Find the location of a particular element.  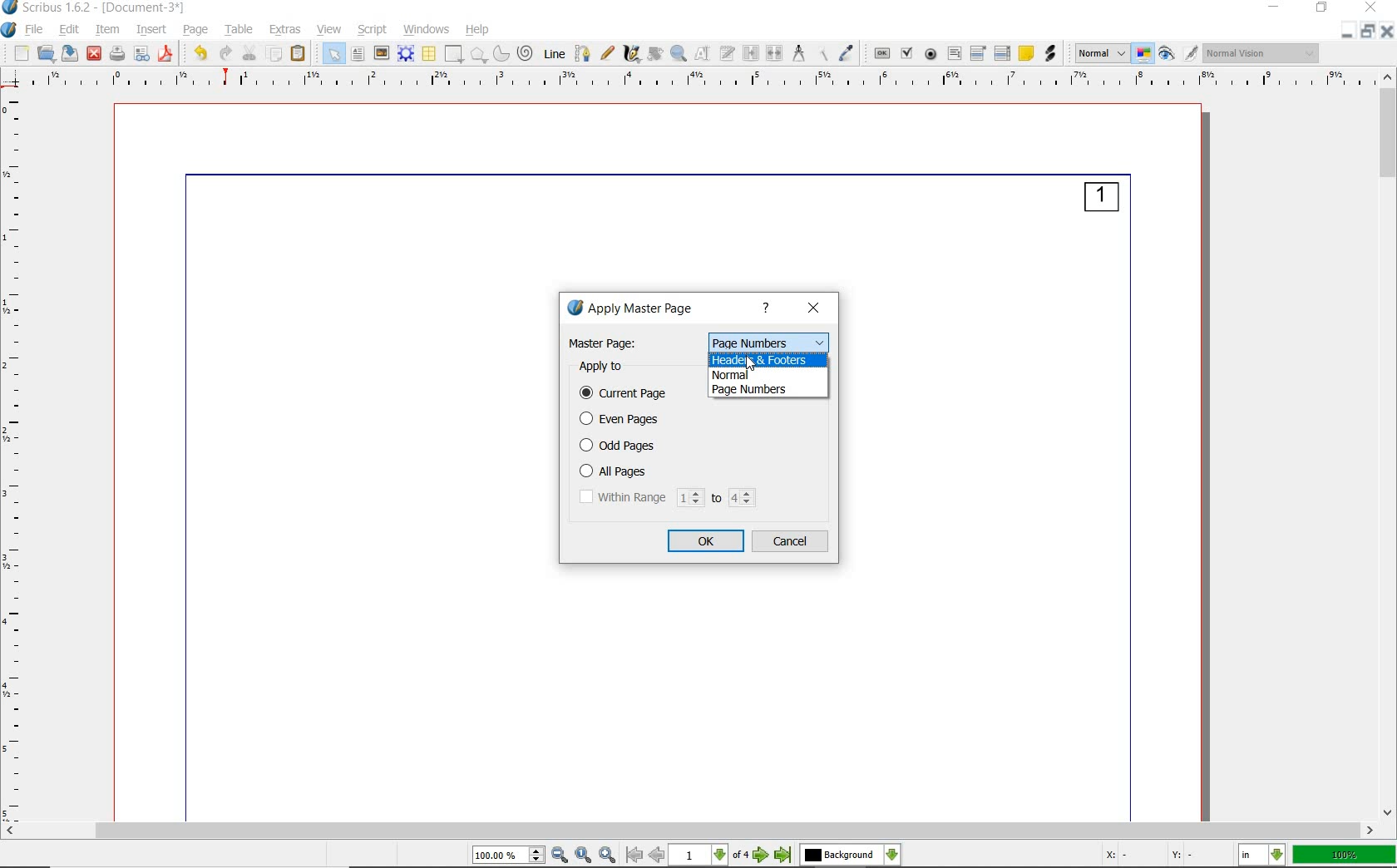

help is located at coordinates (768, 309).